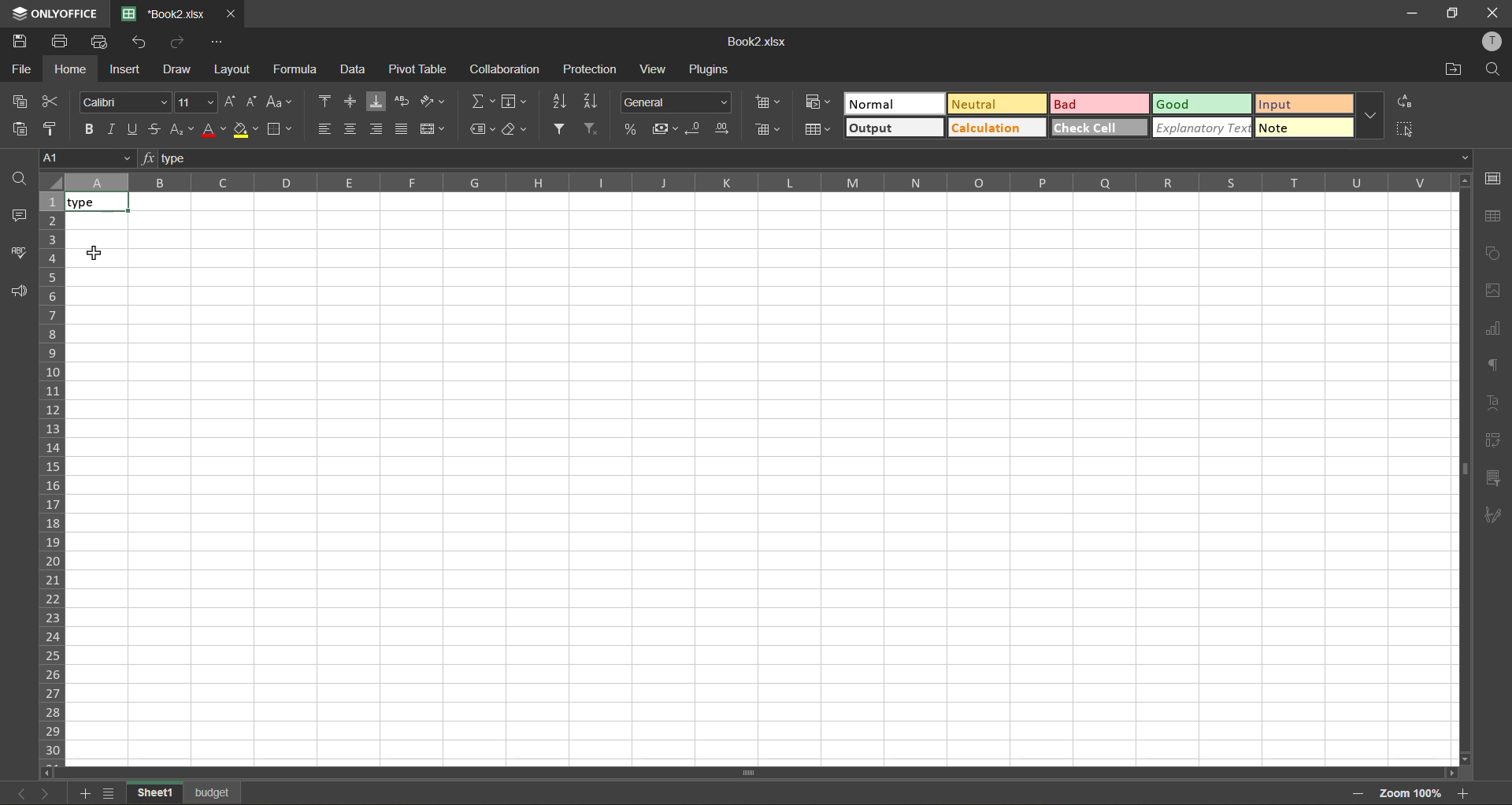  Describe the element at coordinates (115, 128) in the screenshot. I see `italic` at that location.